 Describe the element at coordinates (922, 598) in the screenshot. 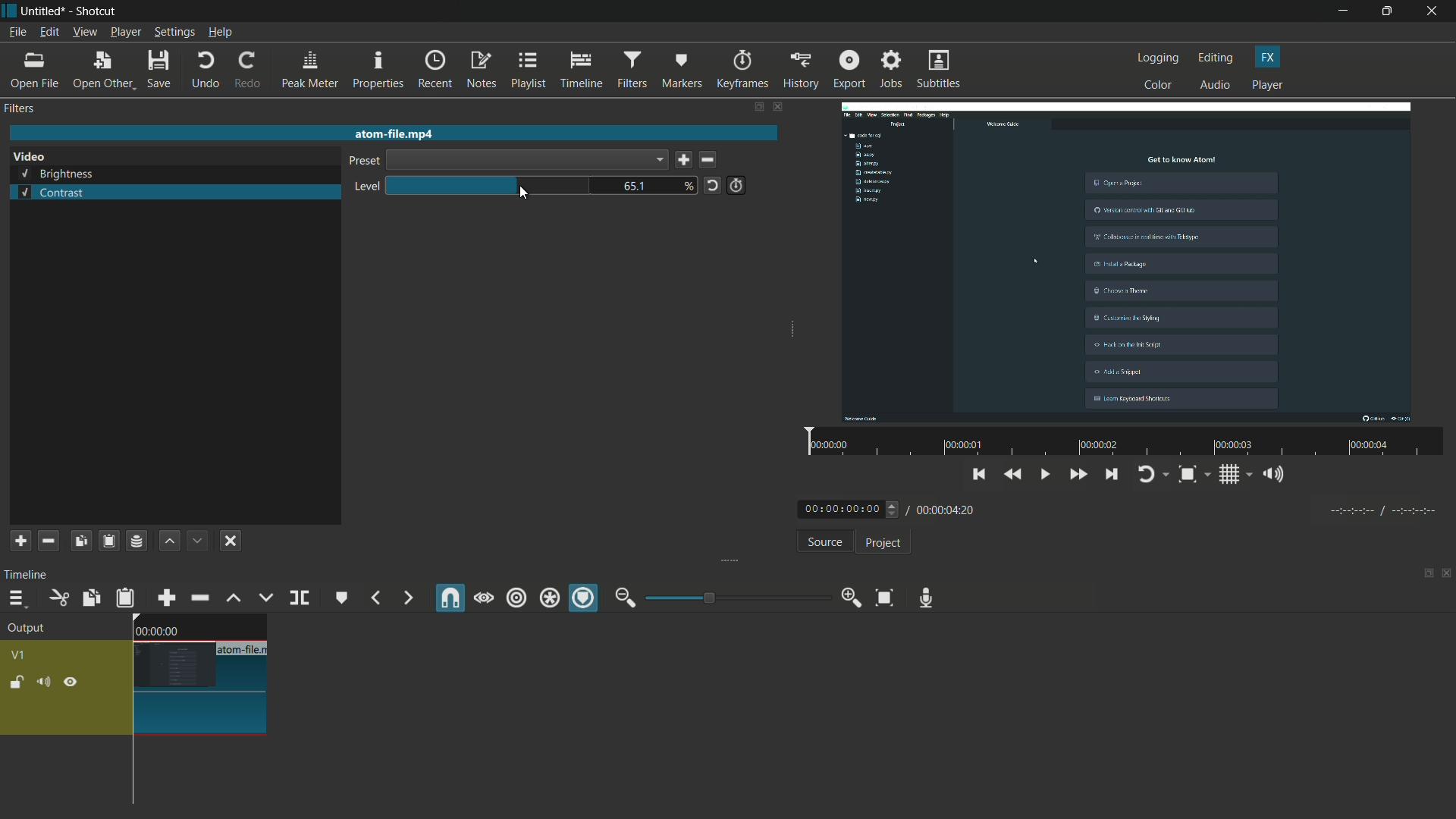

I see `record audio` at that location.